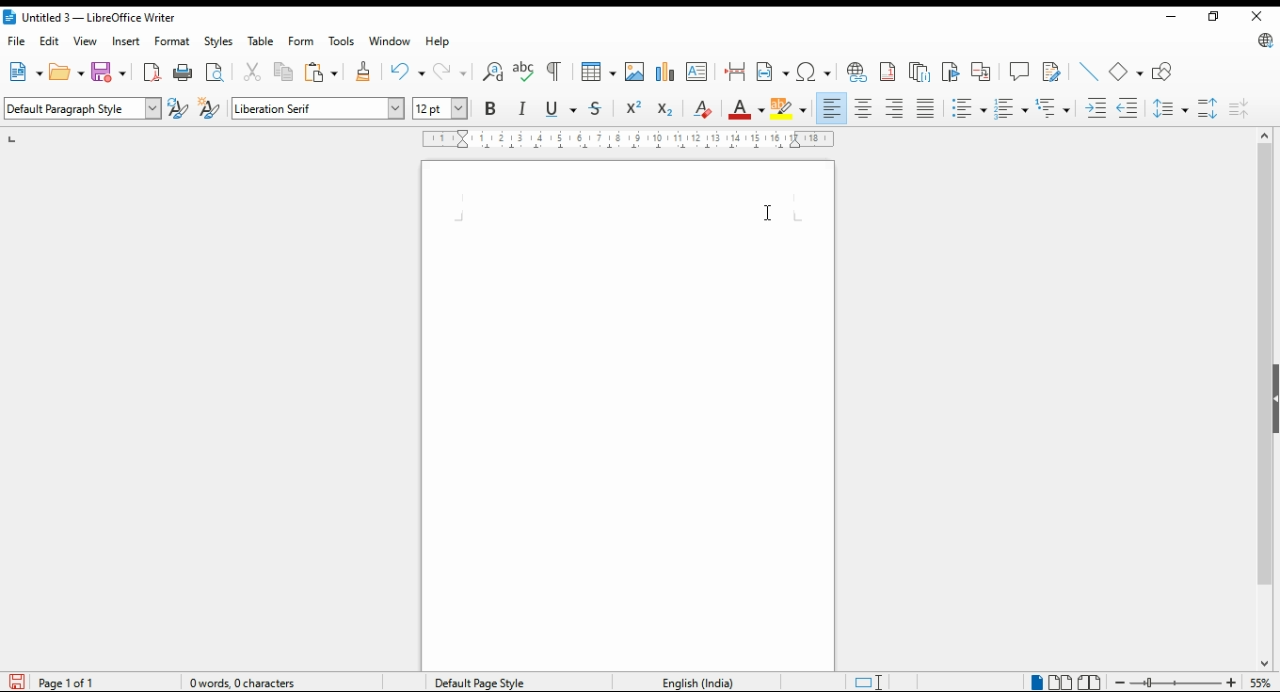 Image resolution: width=1280 pixels, height=692 pixels. Describe the element at coordinates (174, 41) in the screenshot. I see `format` at that location.